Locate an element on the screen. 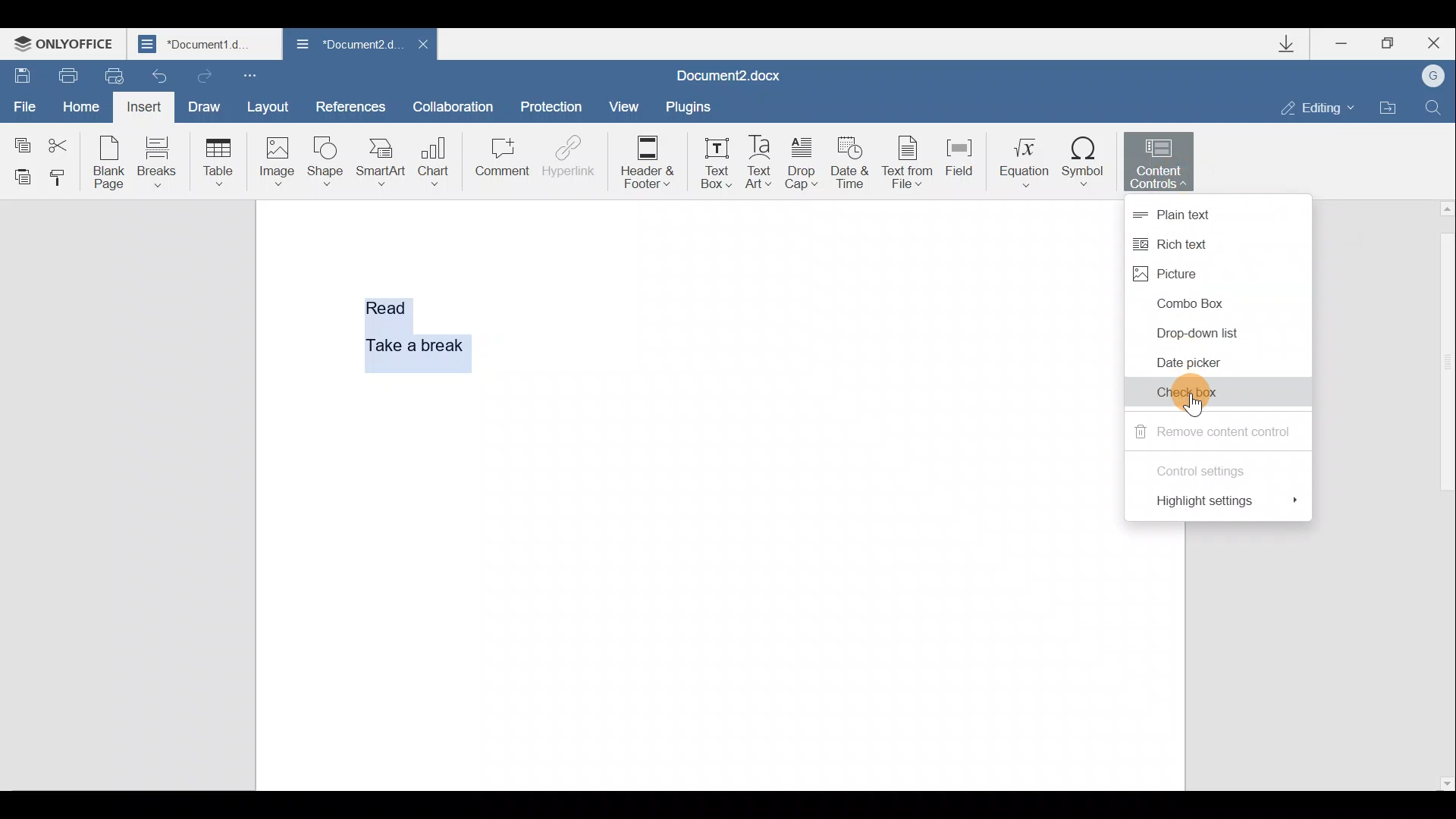 The height and width of the screenshot is (819, 1456). *Document1.d... is located at coordinates (206, 45).